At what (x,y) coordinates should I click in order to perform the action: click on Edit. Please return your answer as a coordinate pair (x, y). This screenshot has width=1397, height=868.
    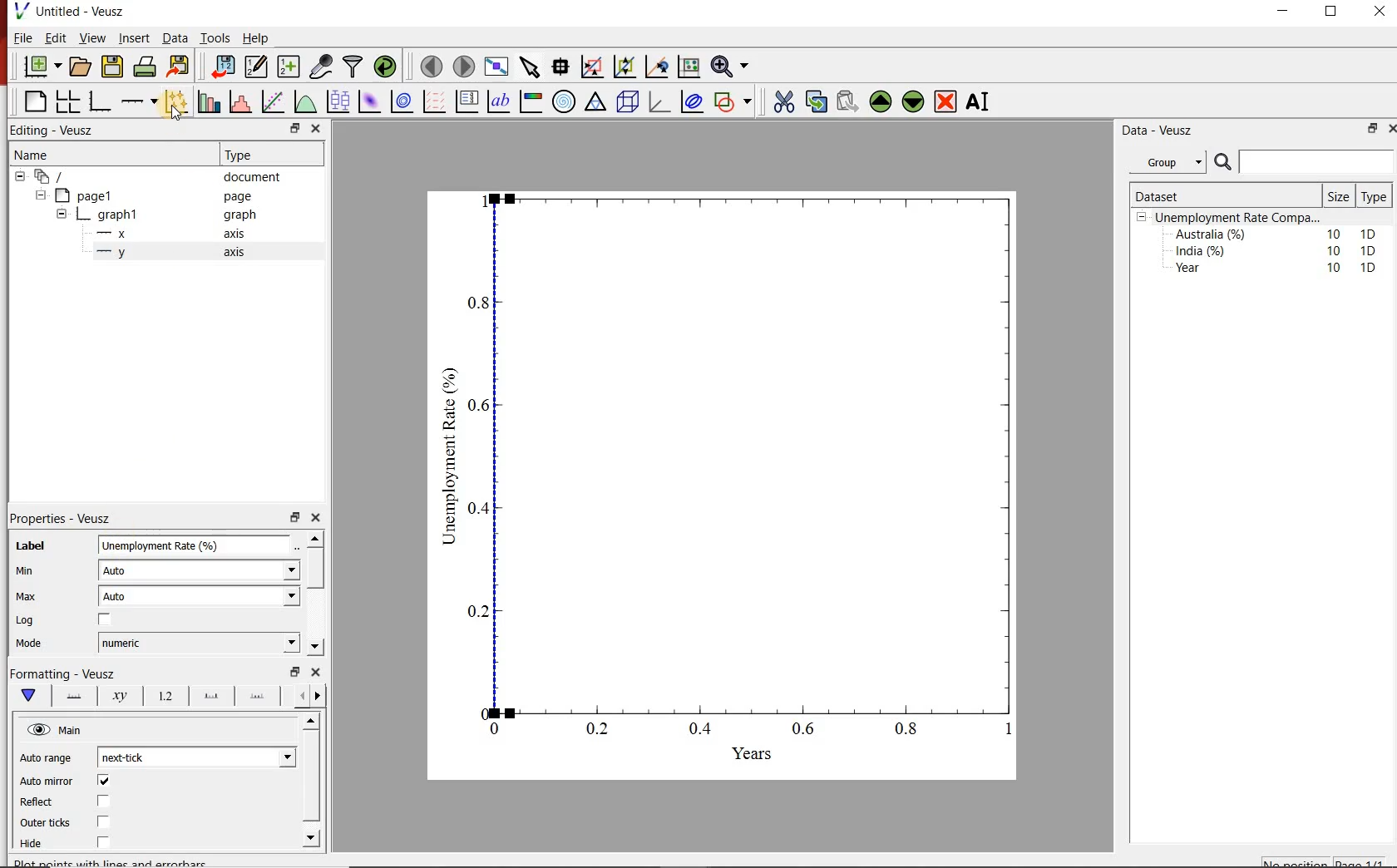
    Looking at the image, I should click on (53, 37).